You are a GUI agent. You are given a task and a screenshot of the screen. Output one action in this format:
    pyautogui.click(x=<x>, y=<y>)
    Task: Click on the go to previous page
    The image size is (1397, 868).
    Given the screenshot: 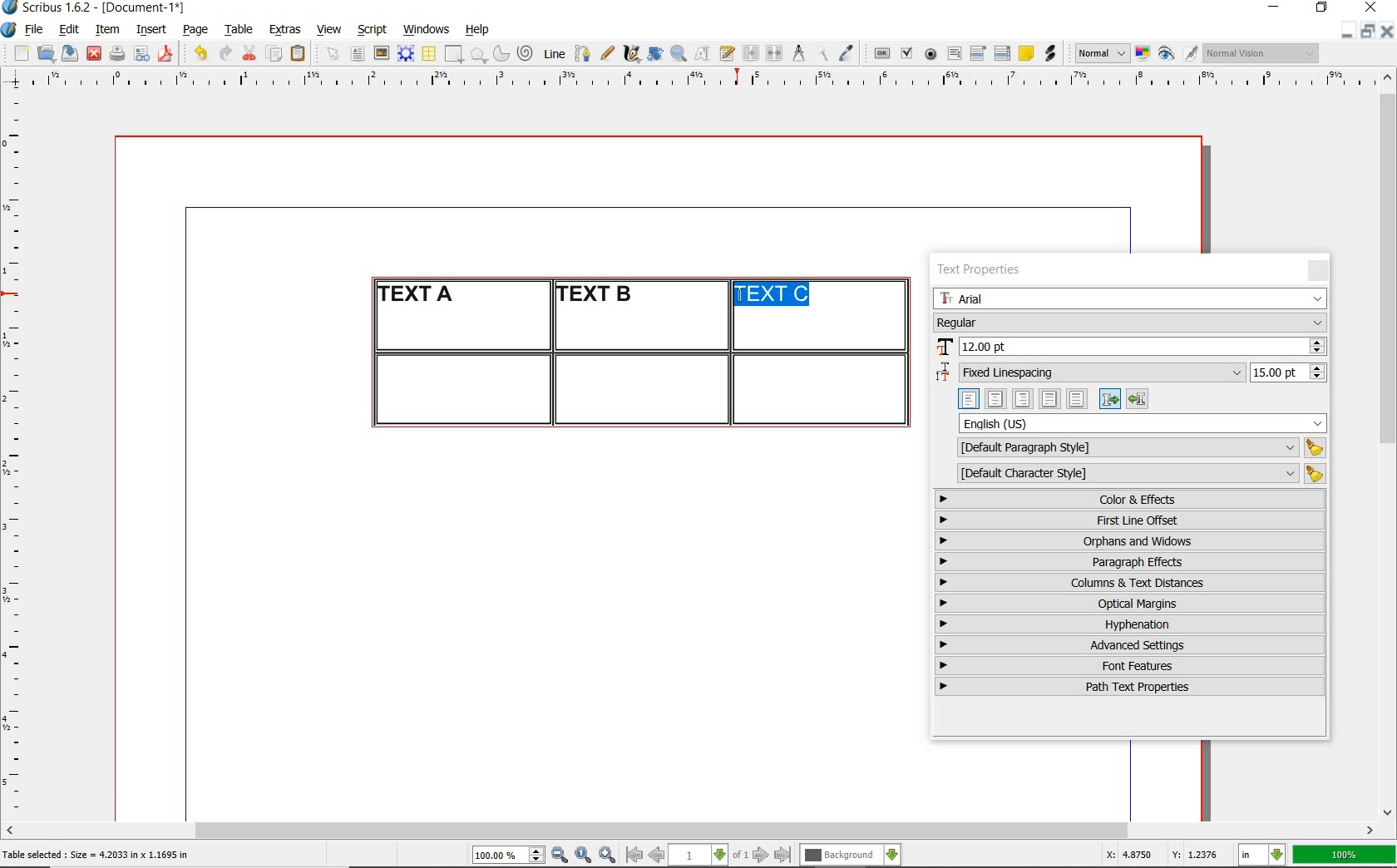 What is the action you would take?
    pyautogui.click(x=656, y=856)
    